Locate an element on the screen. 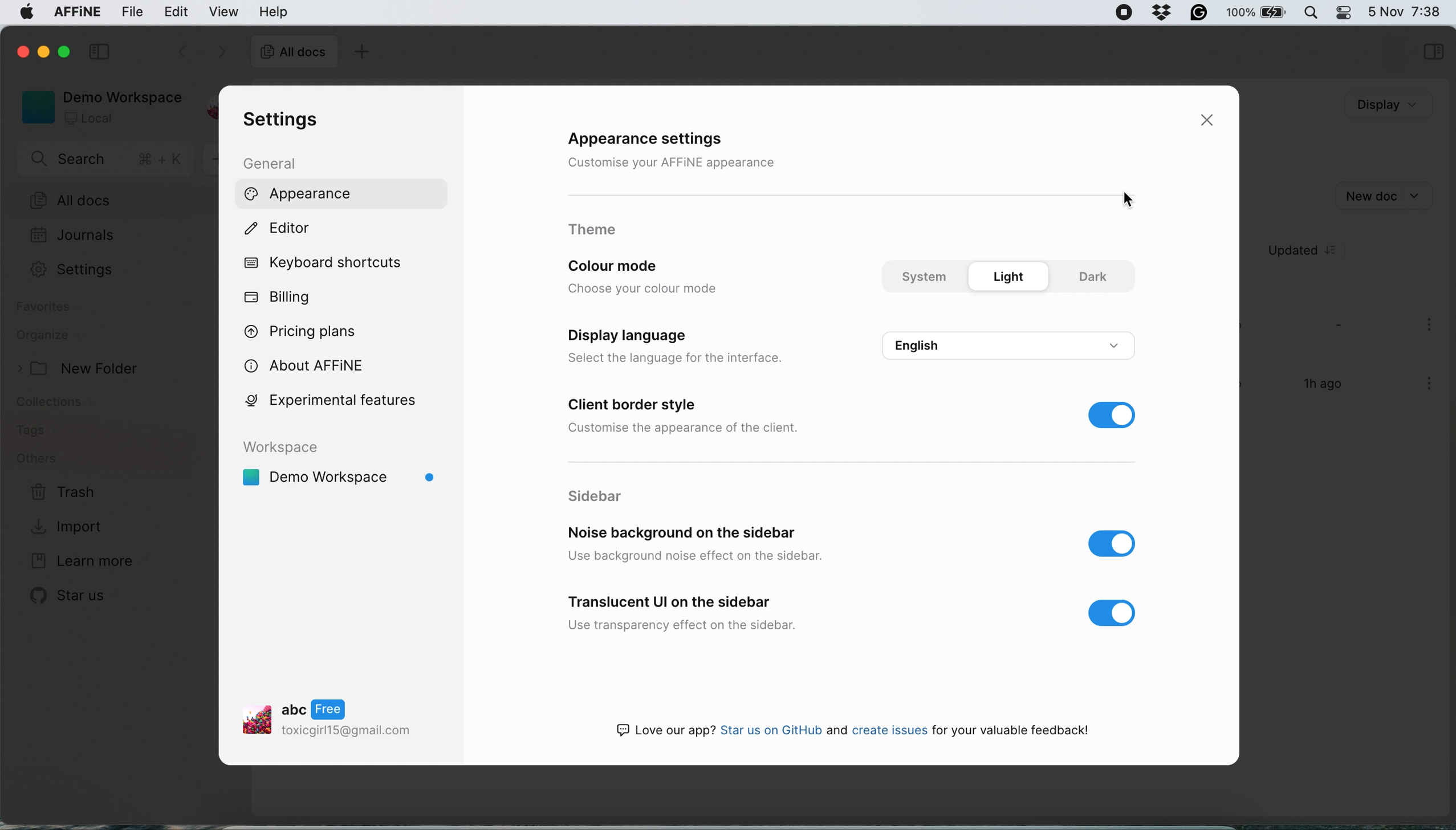 This screenshot has height=830, width=1456. settings is located at coordinates (288, 121).